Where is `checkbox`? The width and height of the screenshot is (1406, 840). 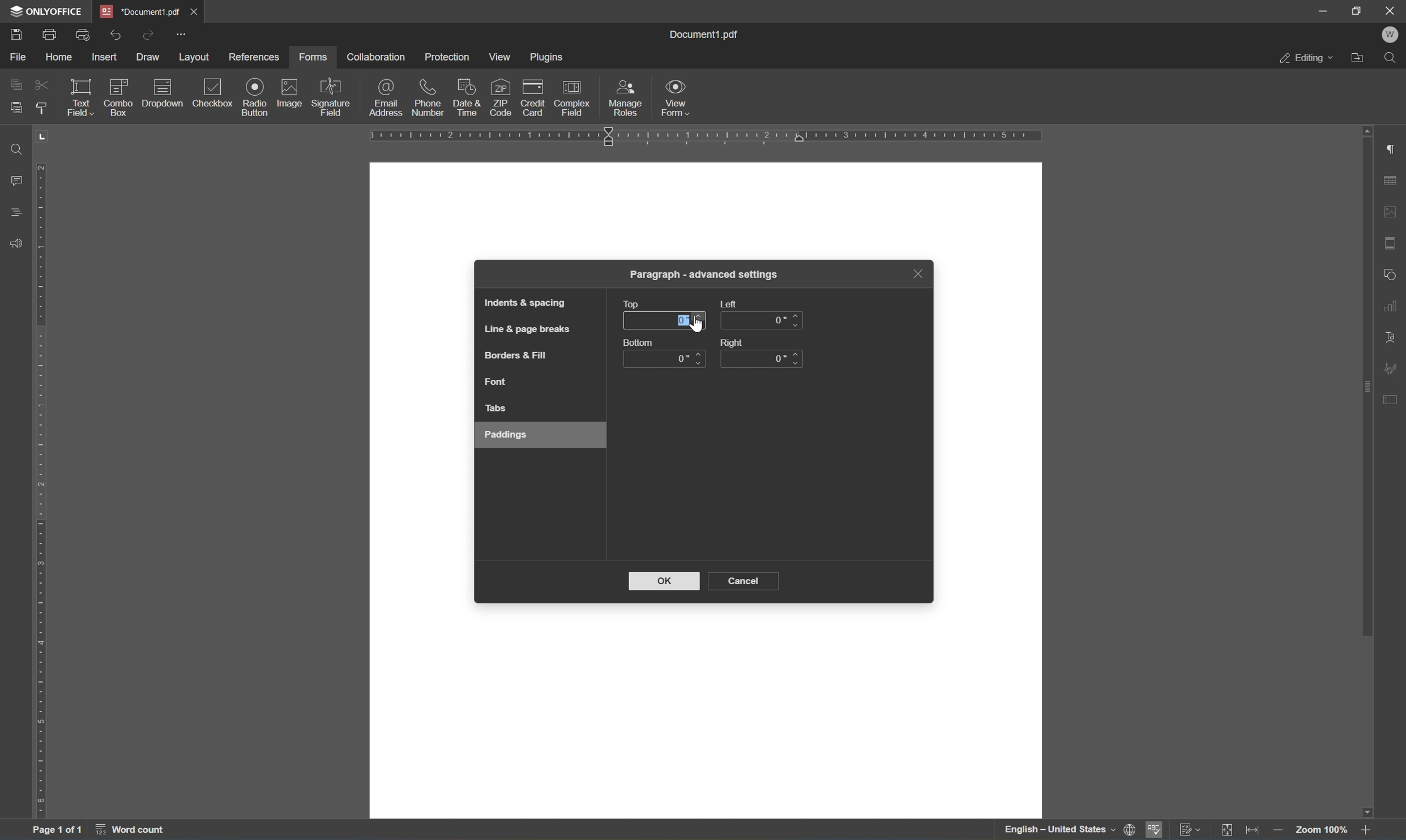 checkbox is located at coordinates (215, 93).